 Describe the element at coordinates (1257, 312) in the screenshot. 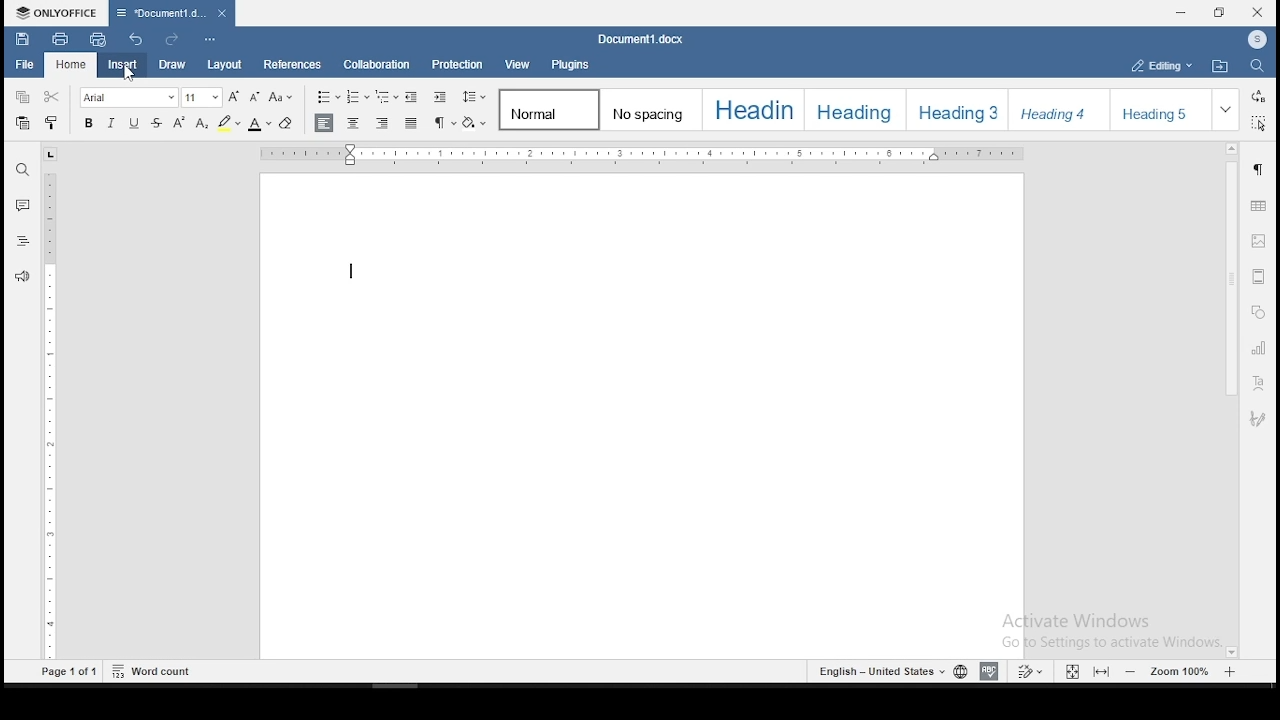

I see `shapes settings` at that location.